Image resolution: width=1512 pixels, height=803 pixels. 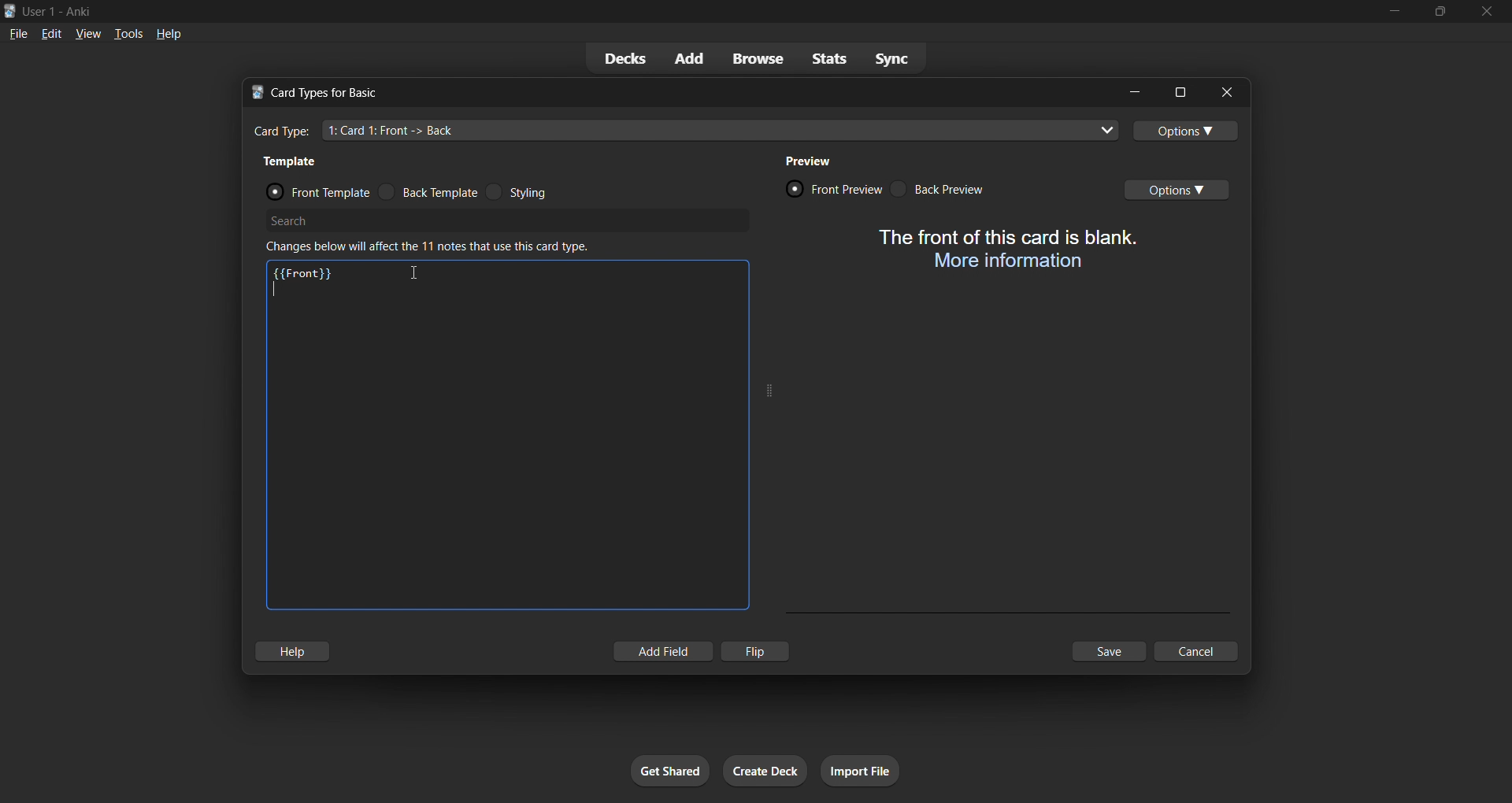 What do you see at coordinates (85, 33) in the screenshot?
I see `view` at bounding box center [85, 33].